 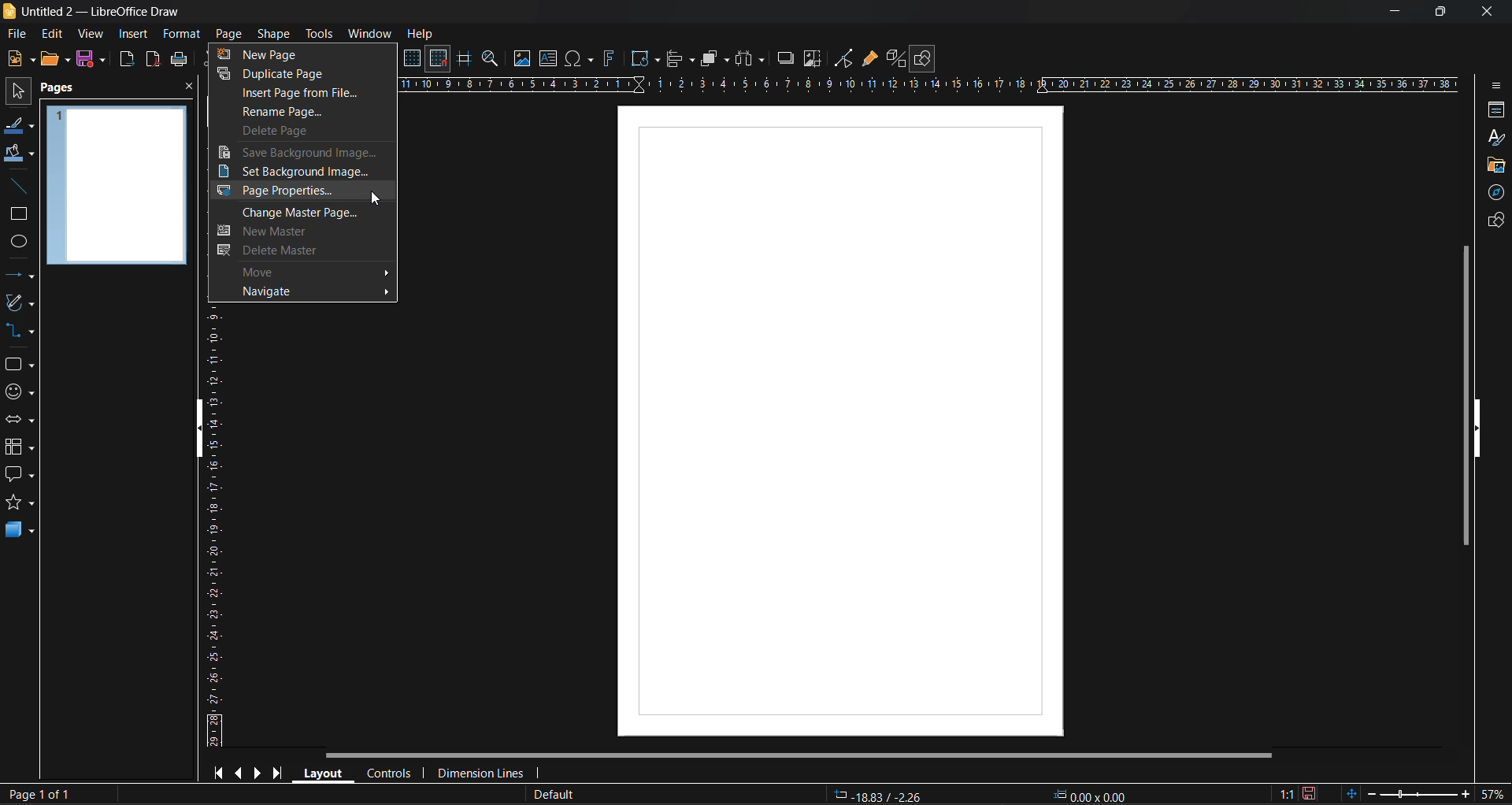 I want to click on hide, so click(x=191, y=431).